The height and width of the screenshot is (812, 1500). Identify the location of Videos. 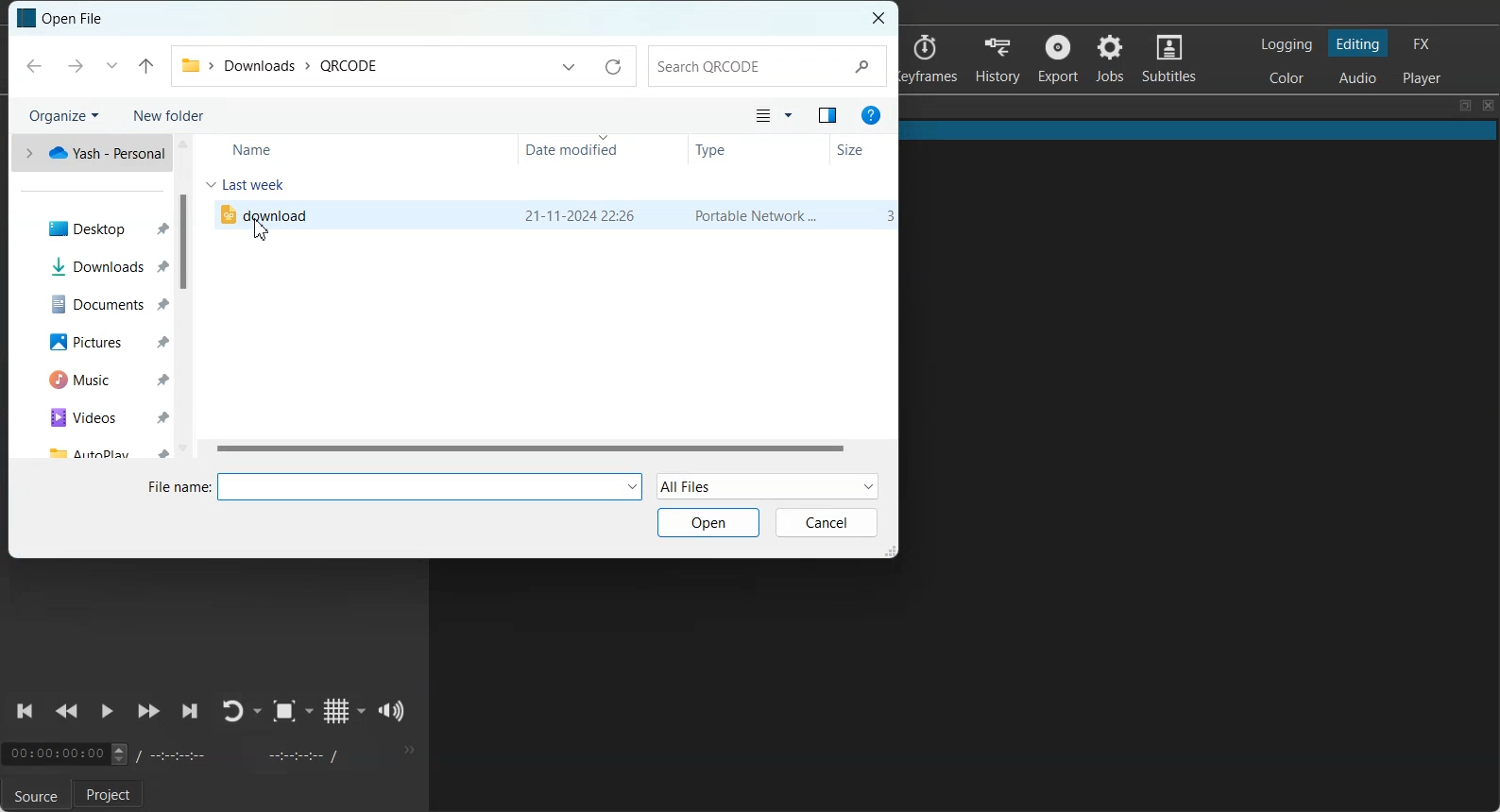
(100, 417).